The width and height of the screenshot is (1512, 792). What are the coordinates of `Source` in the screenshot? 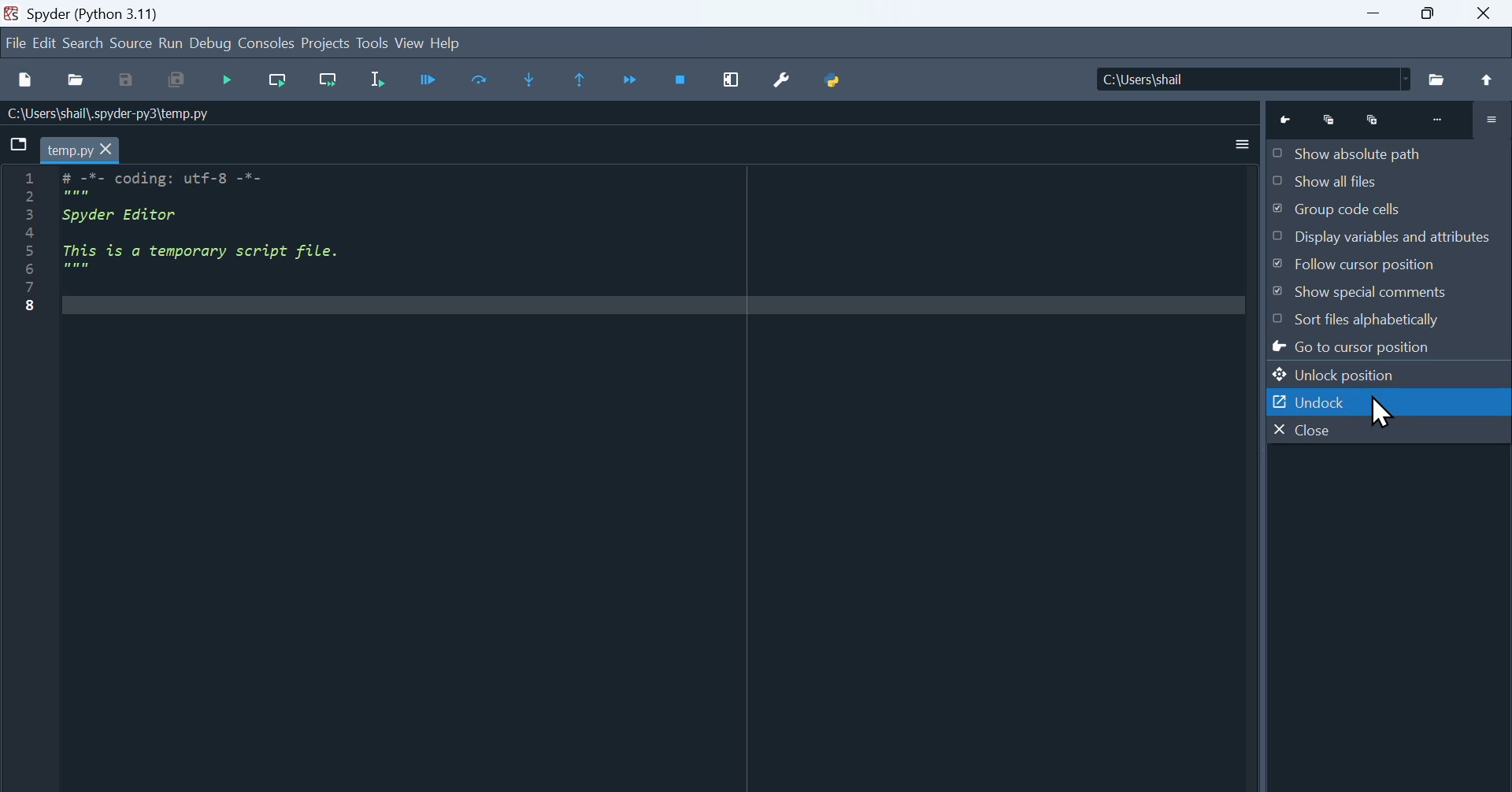 It's located at (131, 41).